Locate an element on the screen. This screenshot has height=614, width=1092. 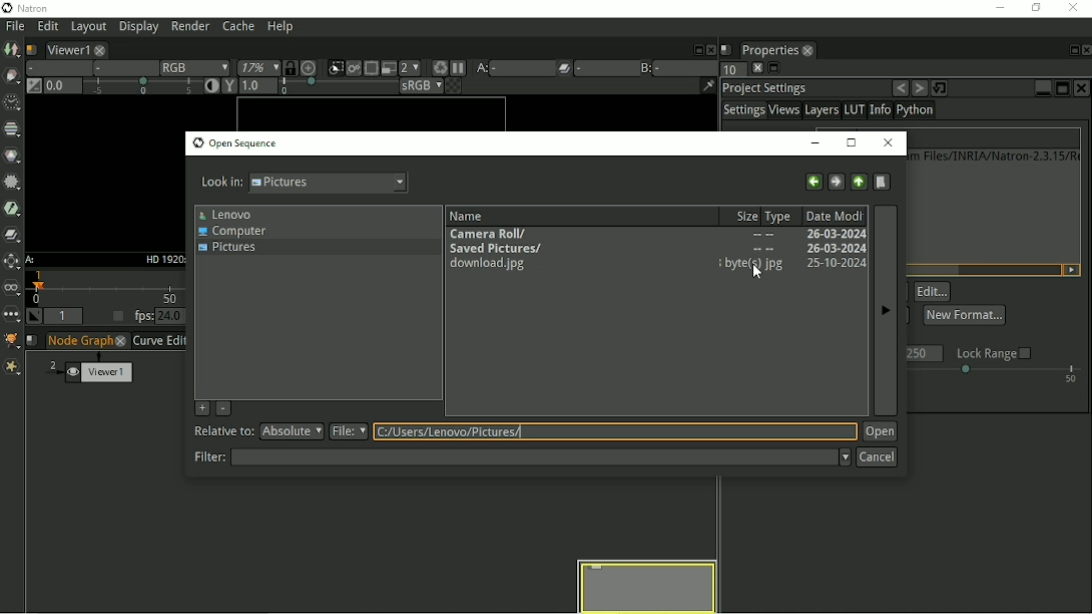
Help is located at coordinates (279, 28).